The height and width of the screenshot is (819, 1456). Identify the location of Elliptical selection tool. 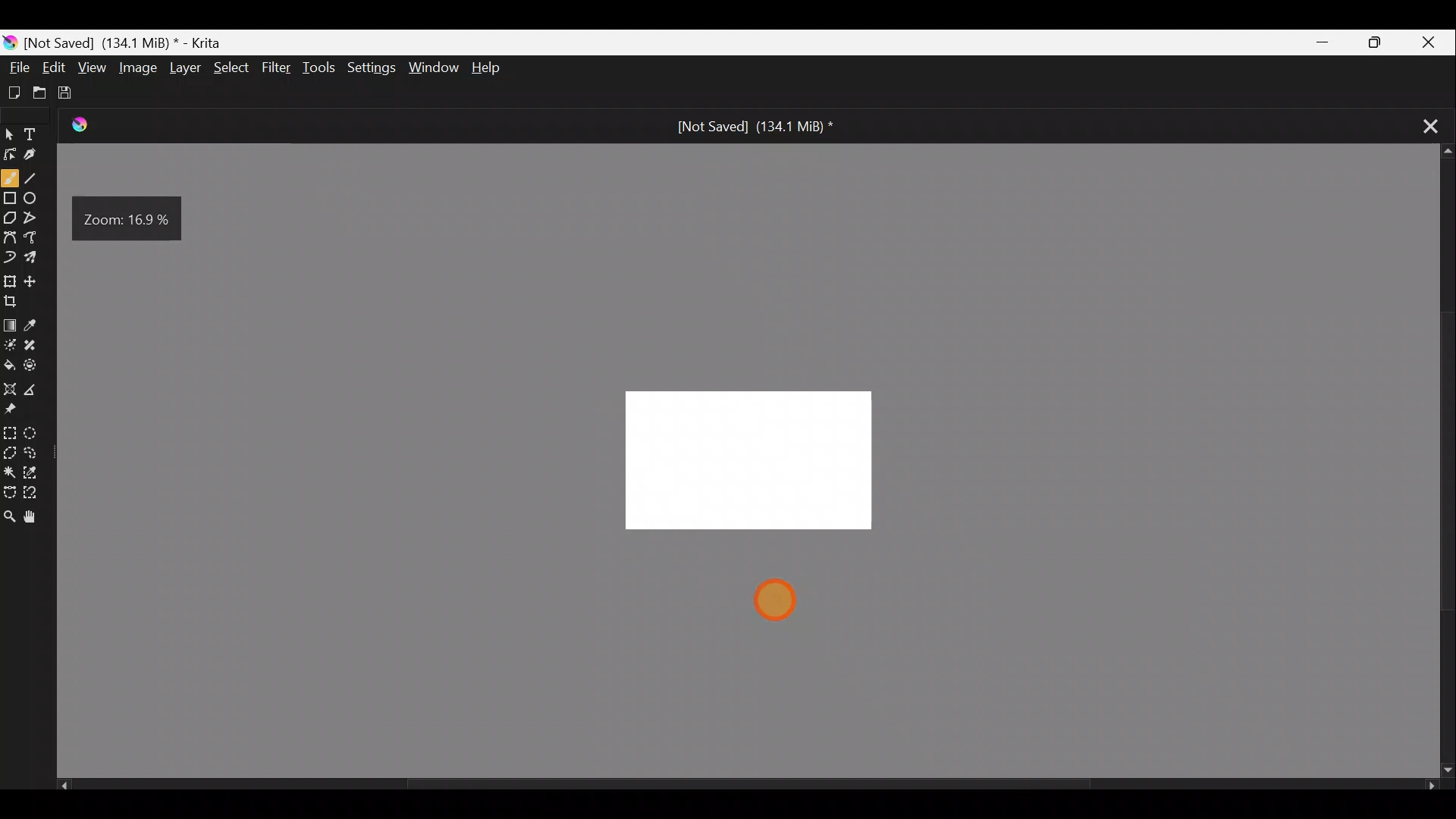
(36, 435).